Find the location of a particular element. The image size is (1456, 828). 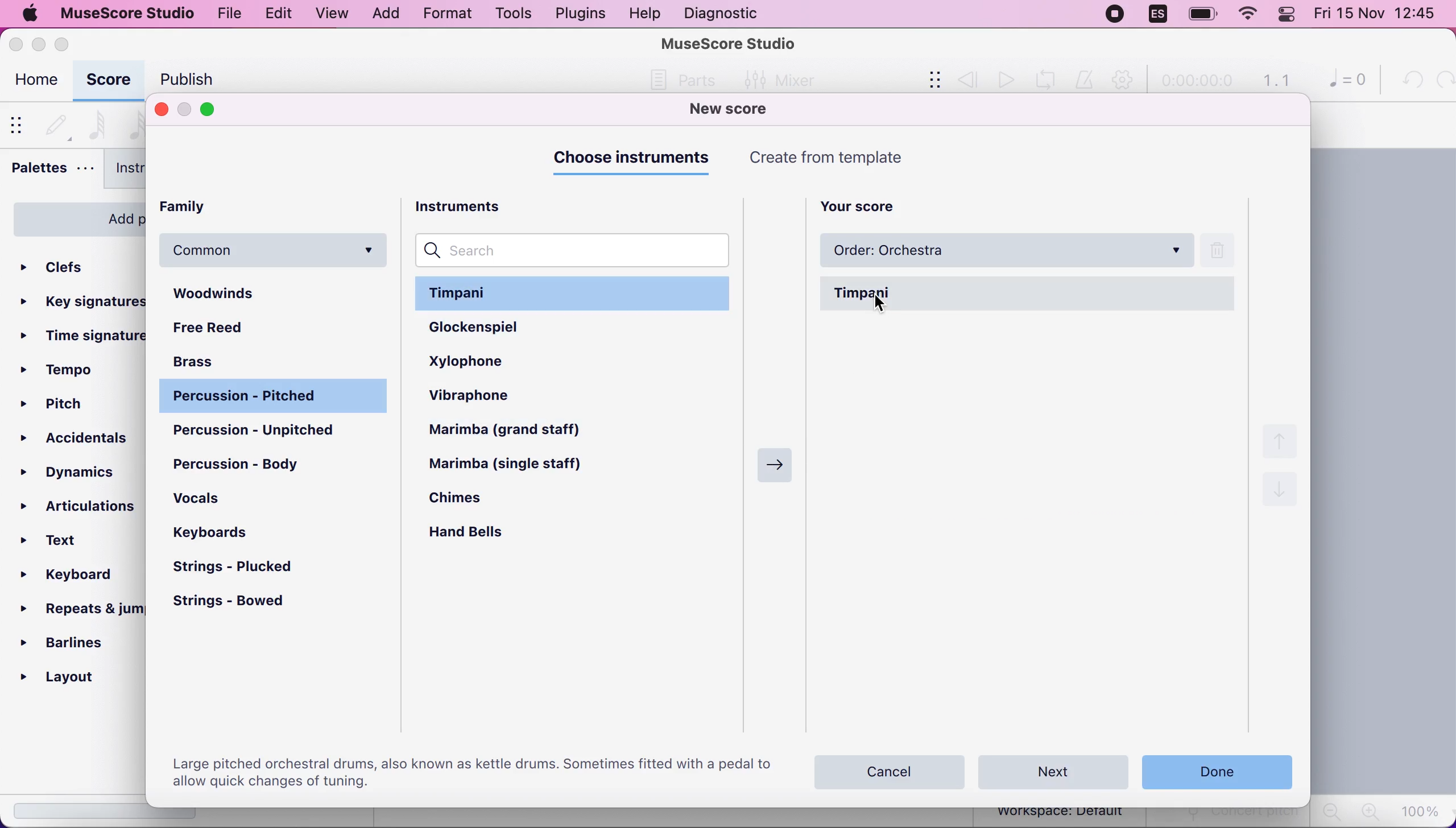

Large pitched orchestral drums, also known as kettle drums. Sometimes fitted with a pedal to allow quick changes of tuning. is located at coordinates (469, 771).